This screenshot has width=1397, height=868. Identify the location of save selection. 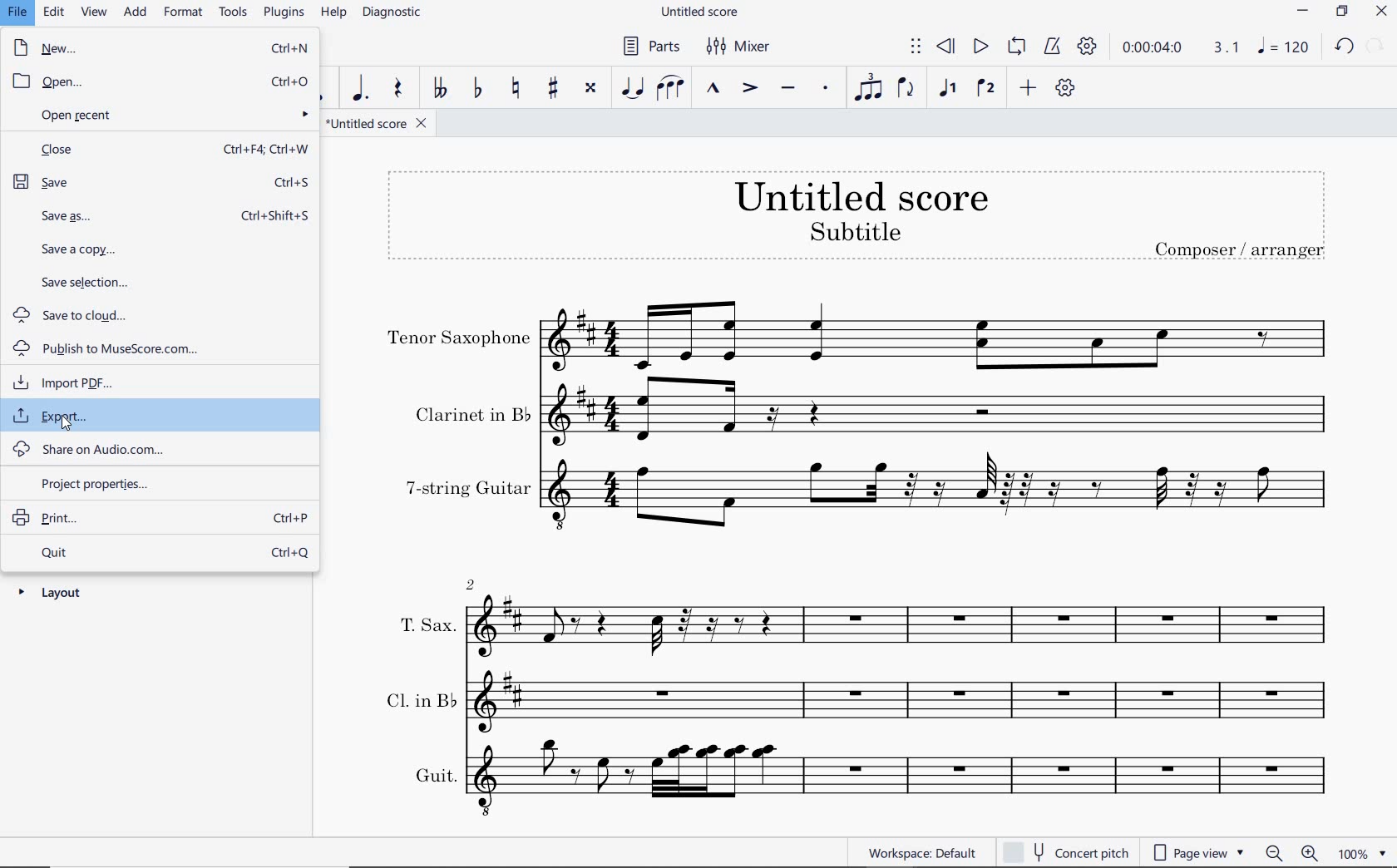
(155, 282).